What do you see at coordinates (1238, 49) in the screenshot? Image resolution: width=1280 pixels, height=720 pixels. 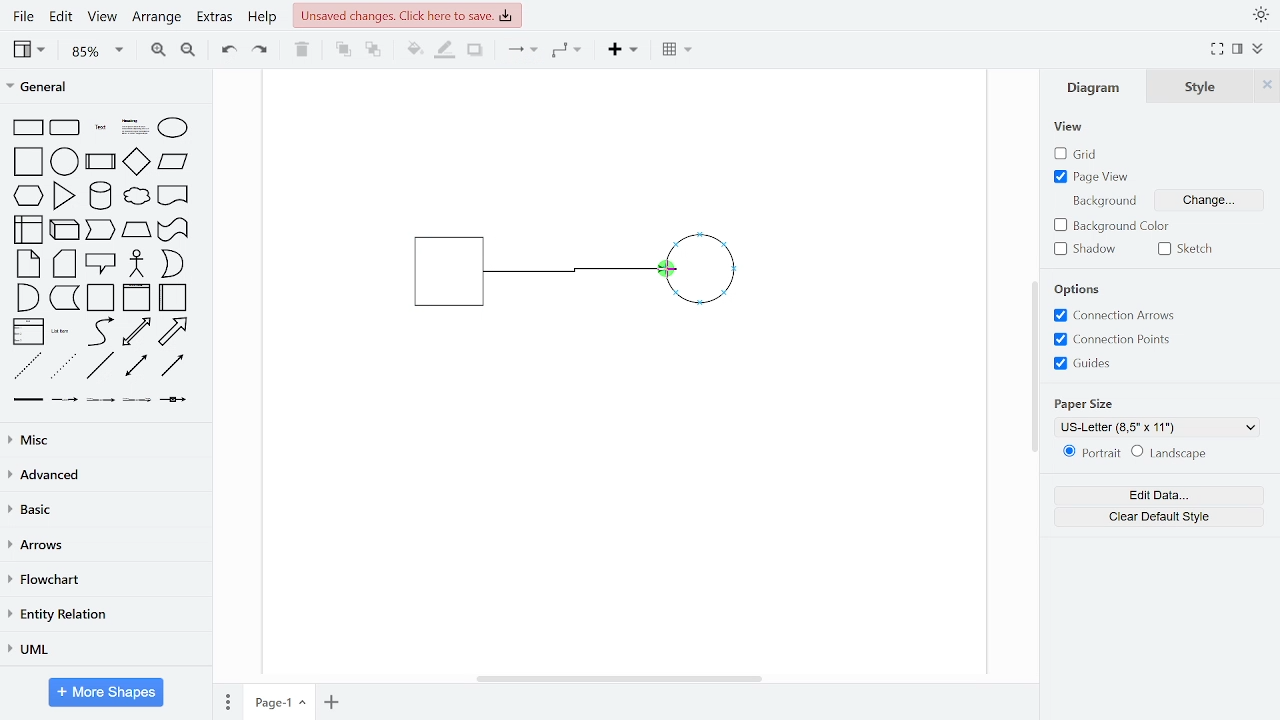 I see `format` at bounding box center [1238, 49].